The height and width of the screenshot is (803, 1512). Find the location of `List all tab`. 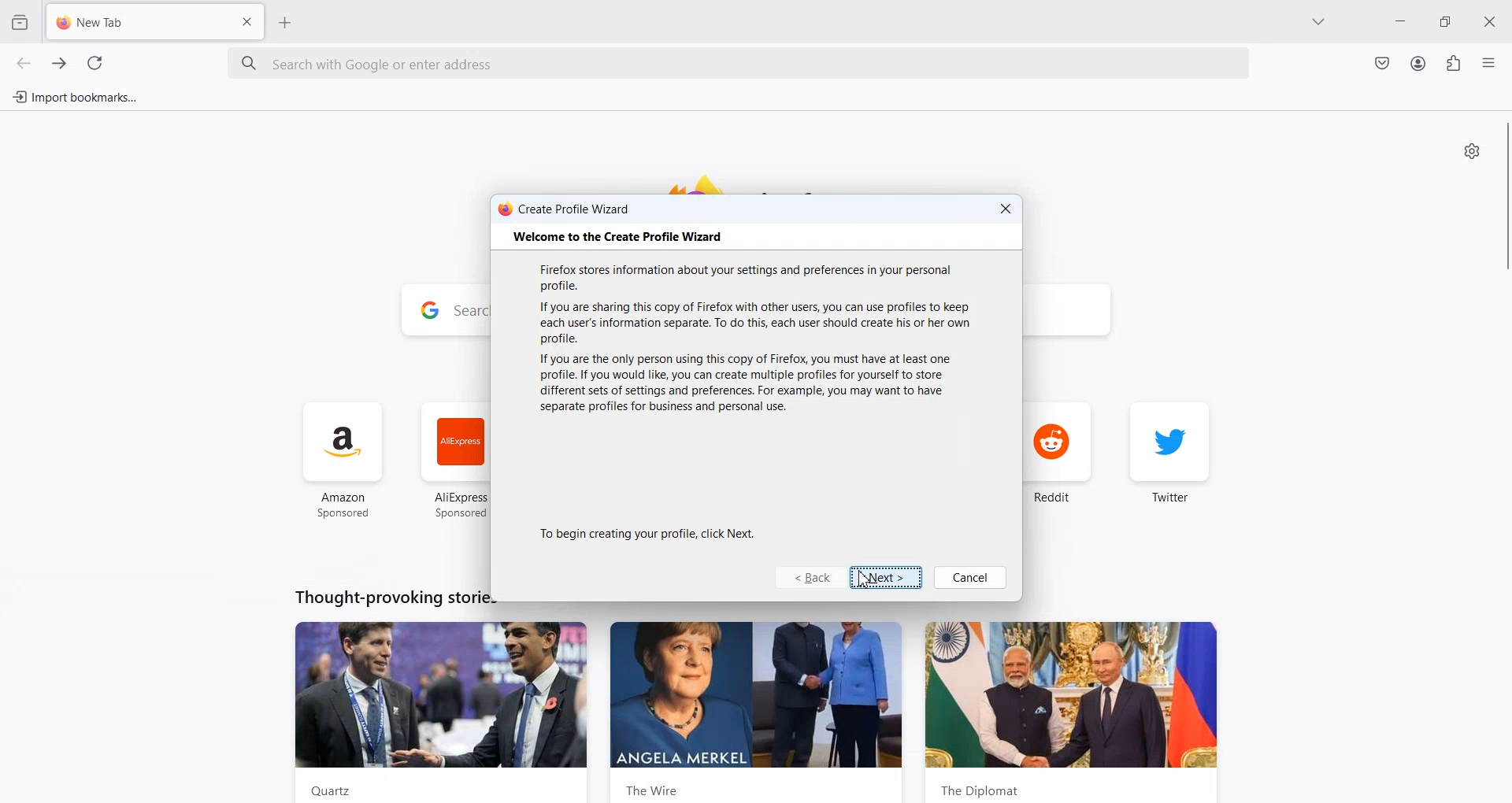

List all tab is located at coordinates (1319, 23).